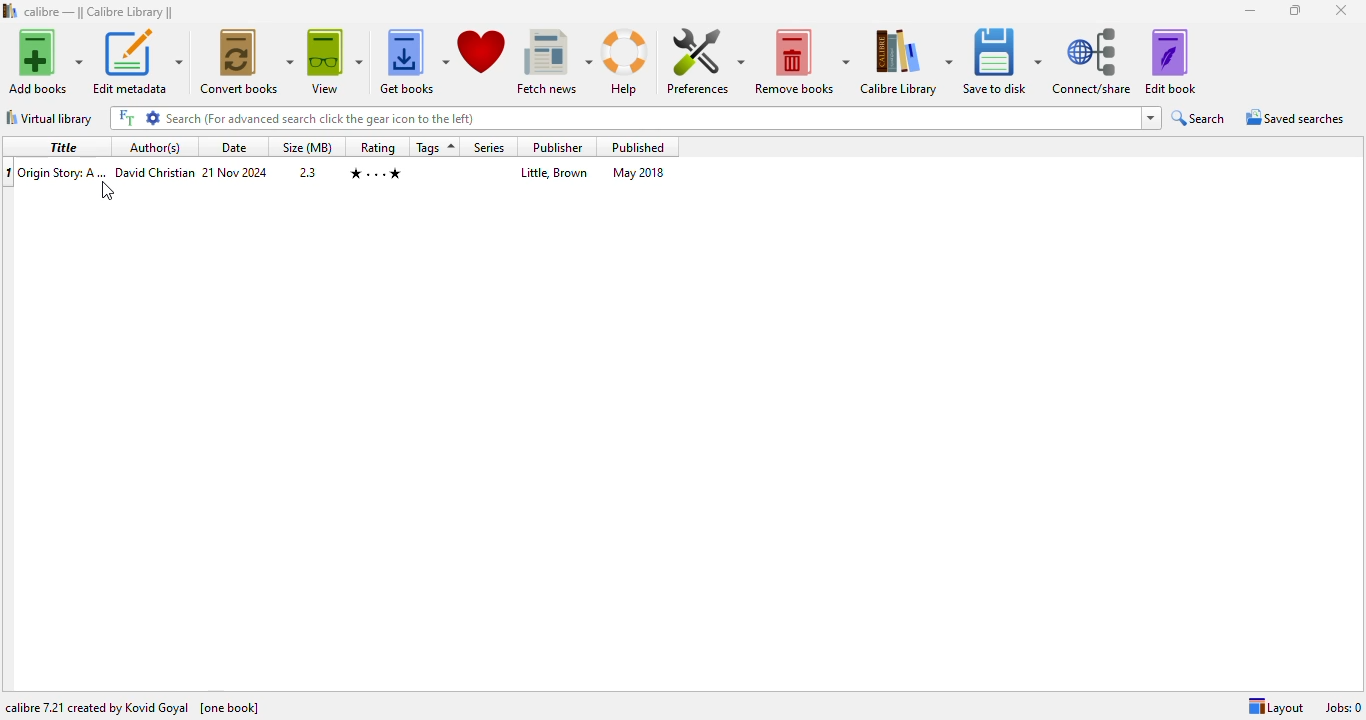  I want to click on Little, Brown, so click(554, 172).